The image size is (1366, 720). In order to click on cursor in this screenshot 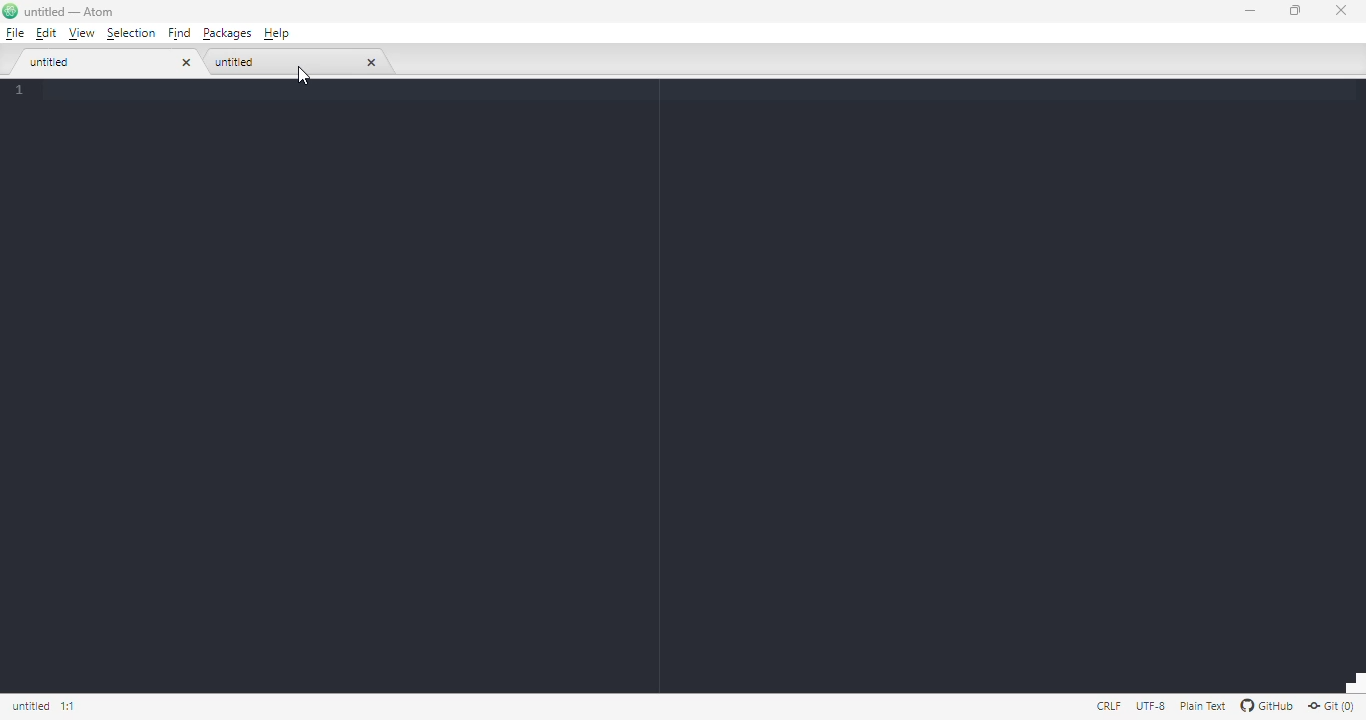, I will do `click(302, 75)`.